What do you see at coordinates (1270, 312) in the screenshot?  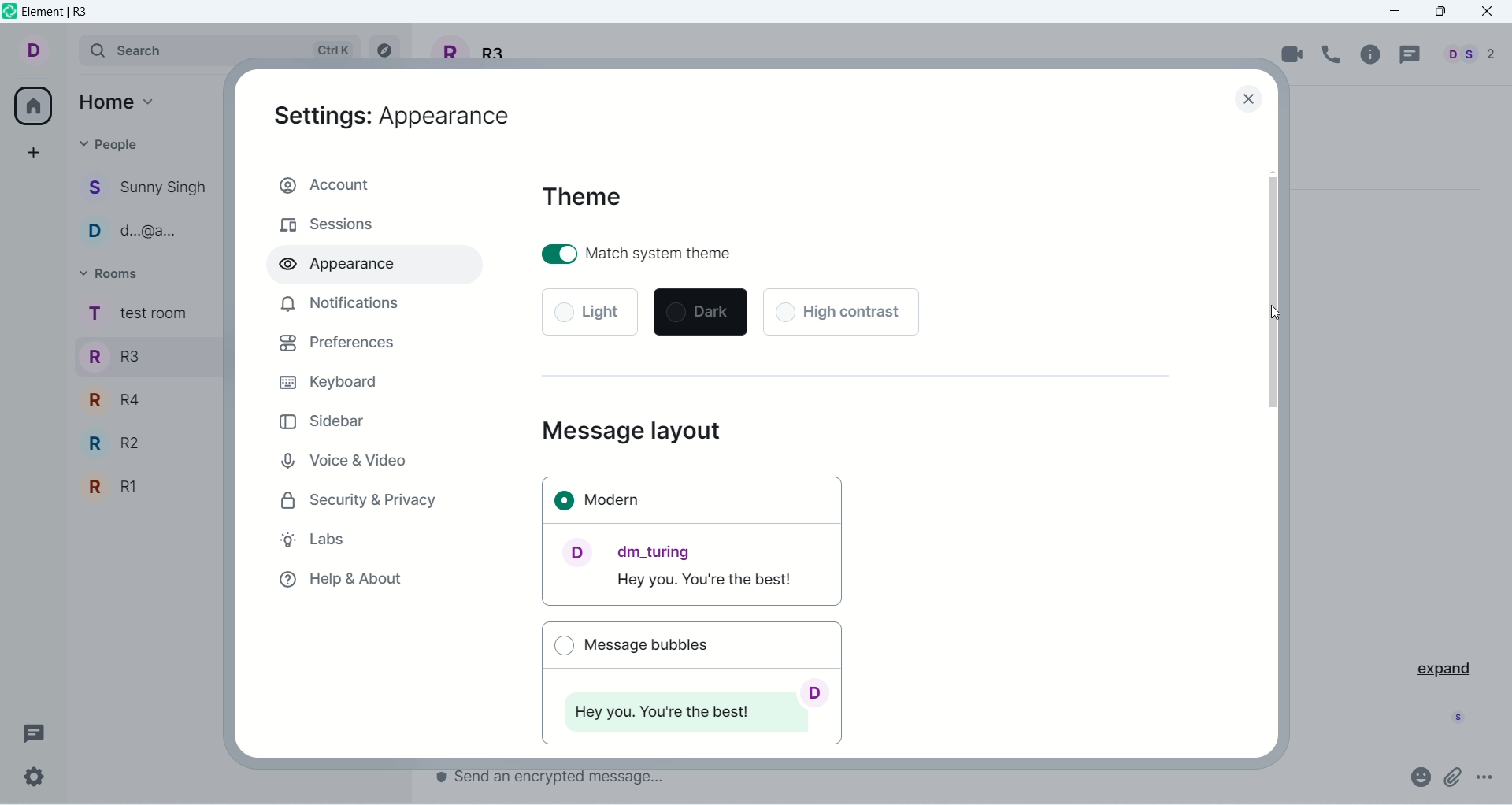 I see `cursor` at bounding box center [1270, 312].